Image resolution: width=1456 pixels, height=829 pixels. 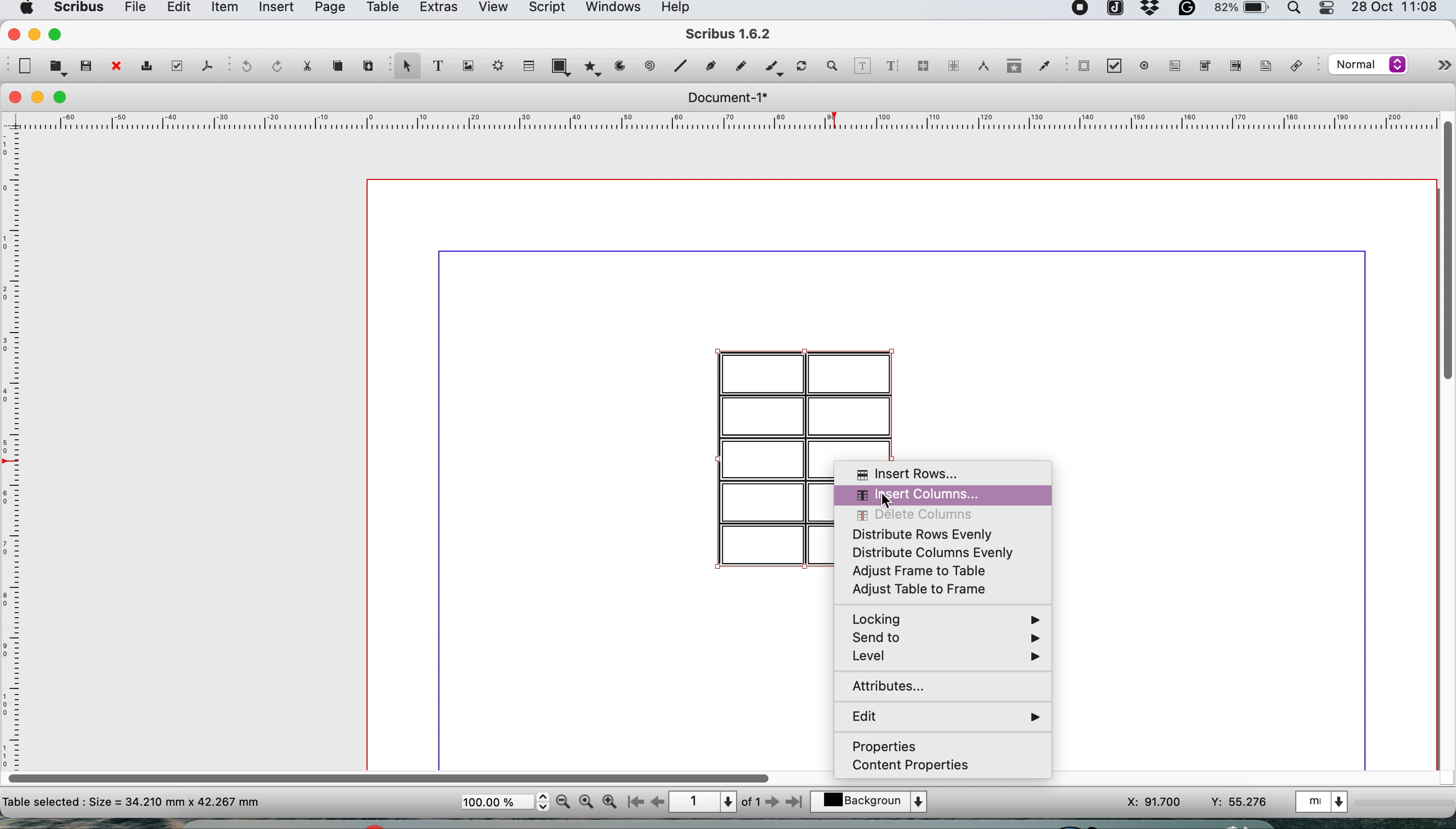 I want to click on pdf text field, so click(x=1172, y=66).